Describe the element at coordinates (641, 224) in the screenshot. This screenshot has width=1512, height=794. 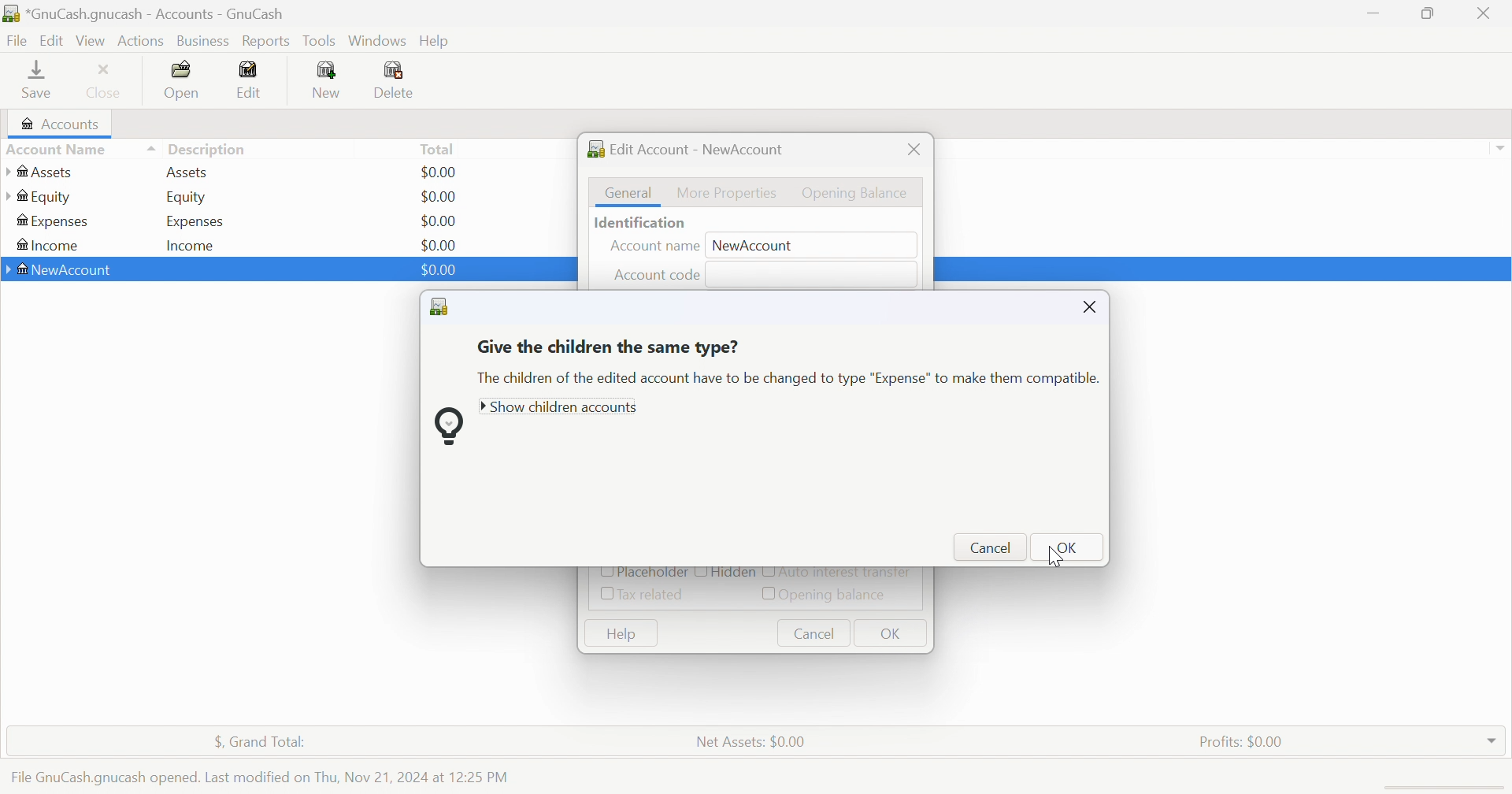
I see `Identification` at that location.